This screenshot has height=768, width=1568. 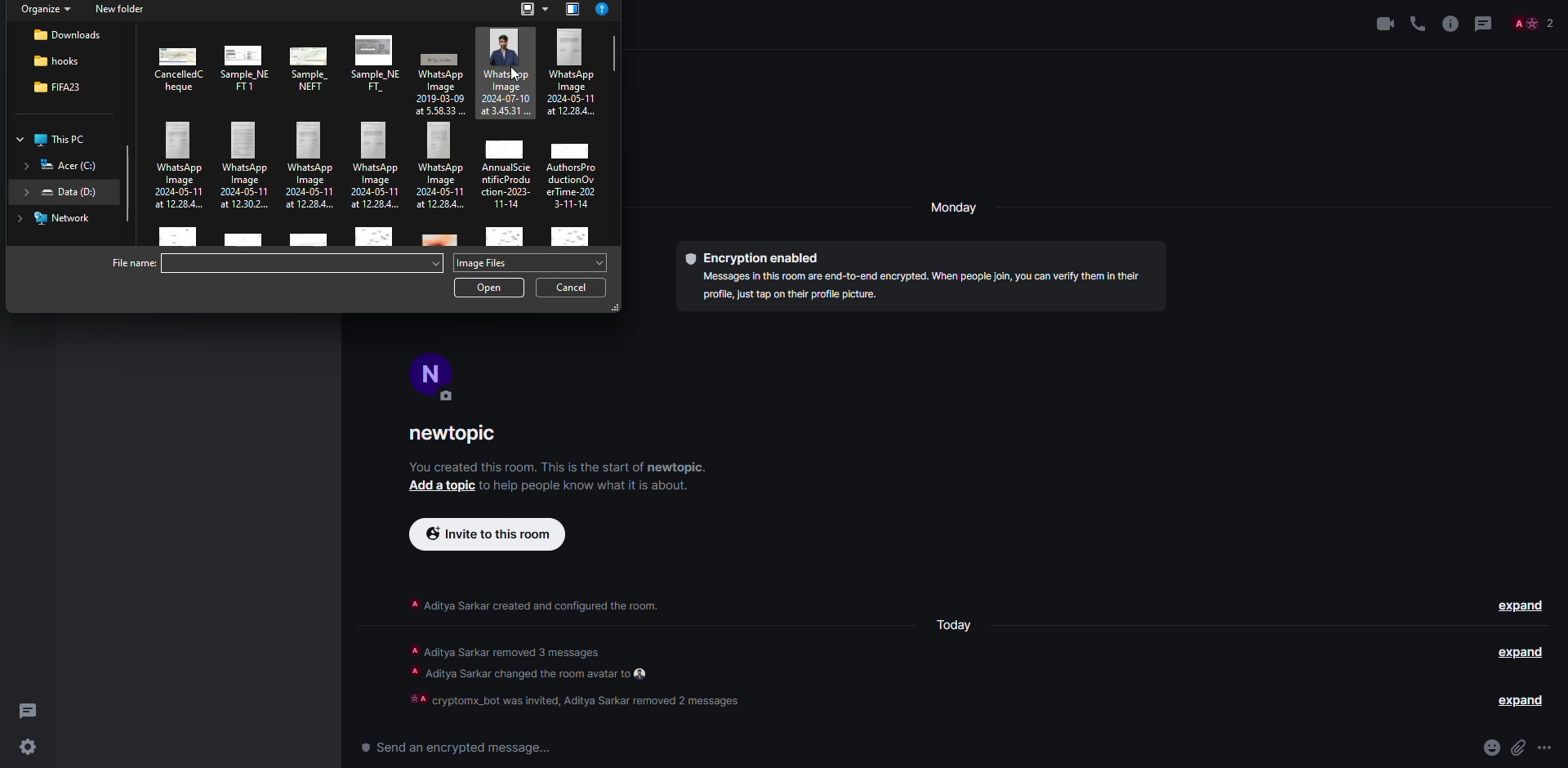 I want to click on click to select, so click(x=442, y=239).